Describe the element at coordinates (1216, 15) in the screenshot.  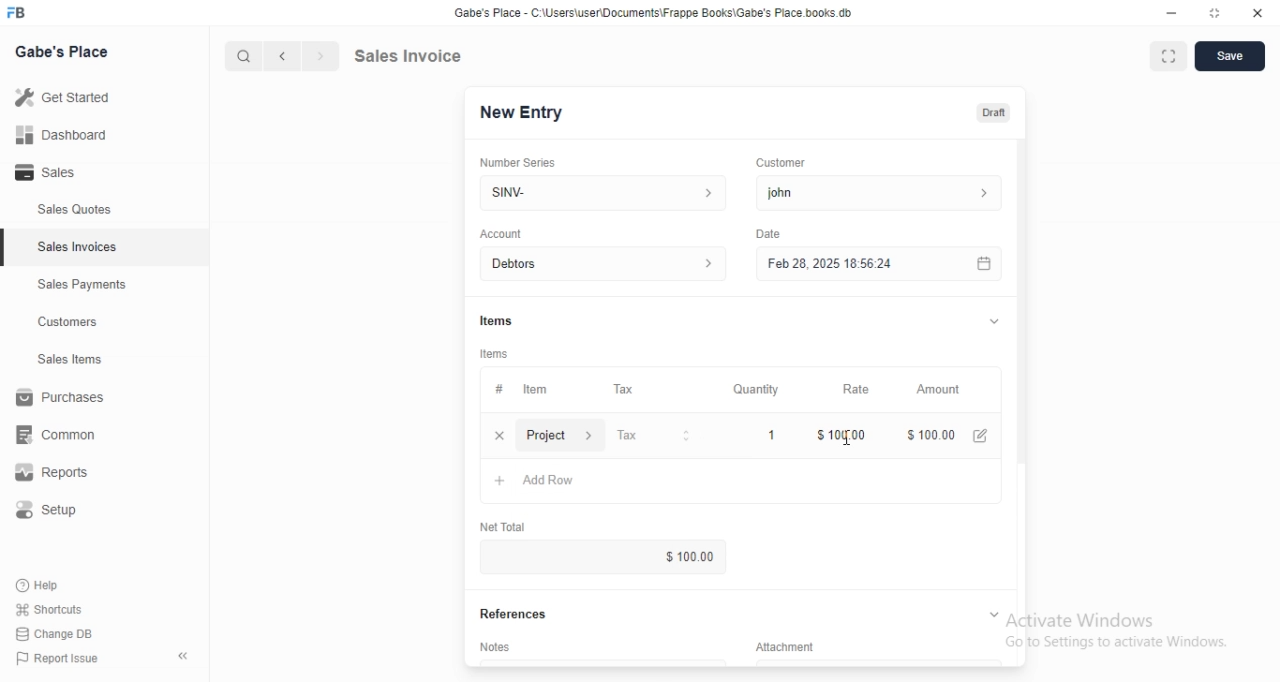
I see `maximize` at that location.